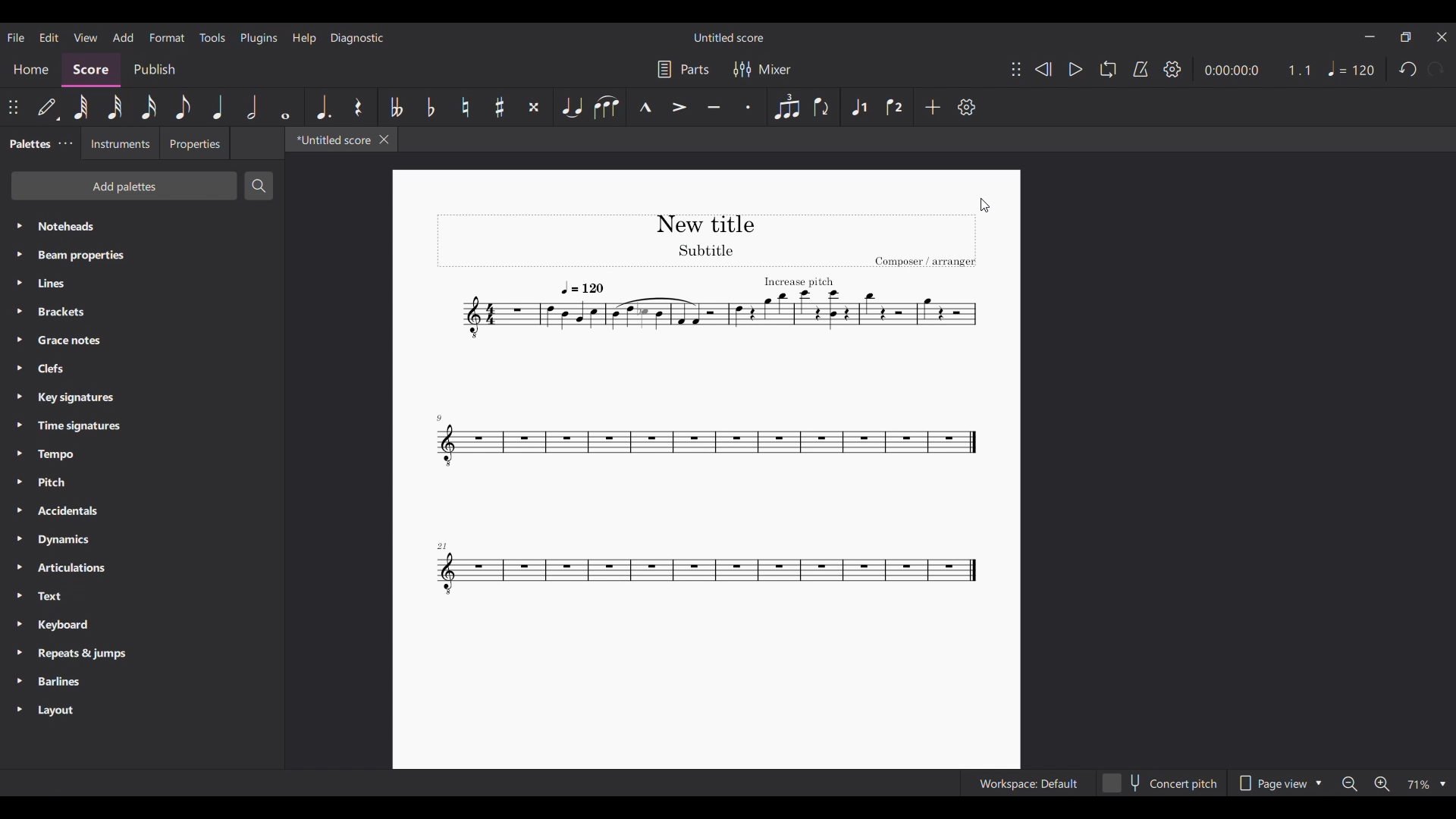 The width and height of the screenshot is (1456, 819). What do you see at coordinates (124, 186) in the screenshot?
I see `Add palettes` at bounding box center [124, 186].